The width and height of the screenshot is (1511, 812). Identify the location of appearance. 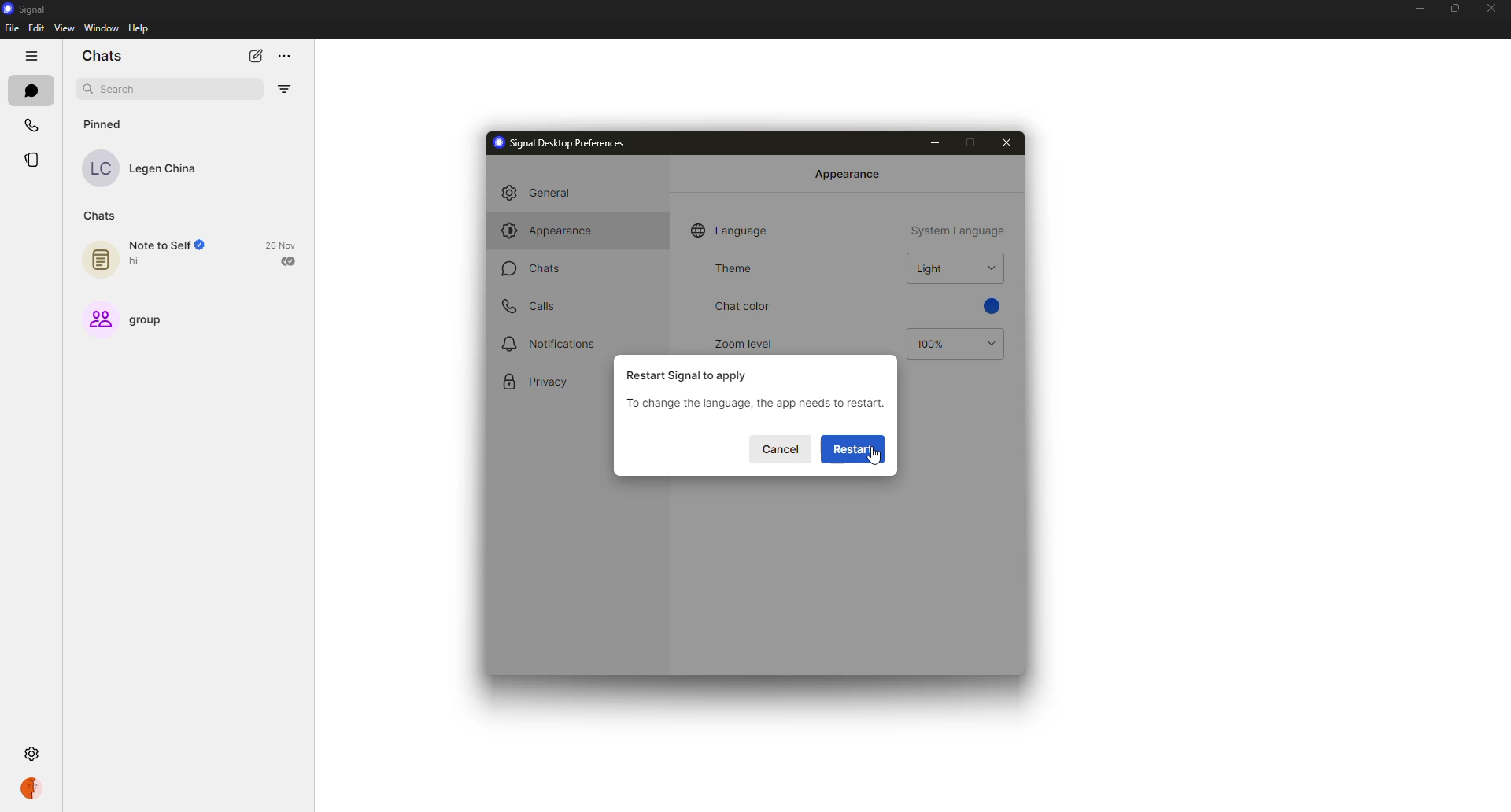
(548, 231).